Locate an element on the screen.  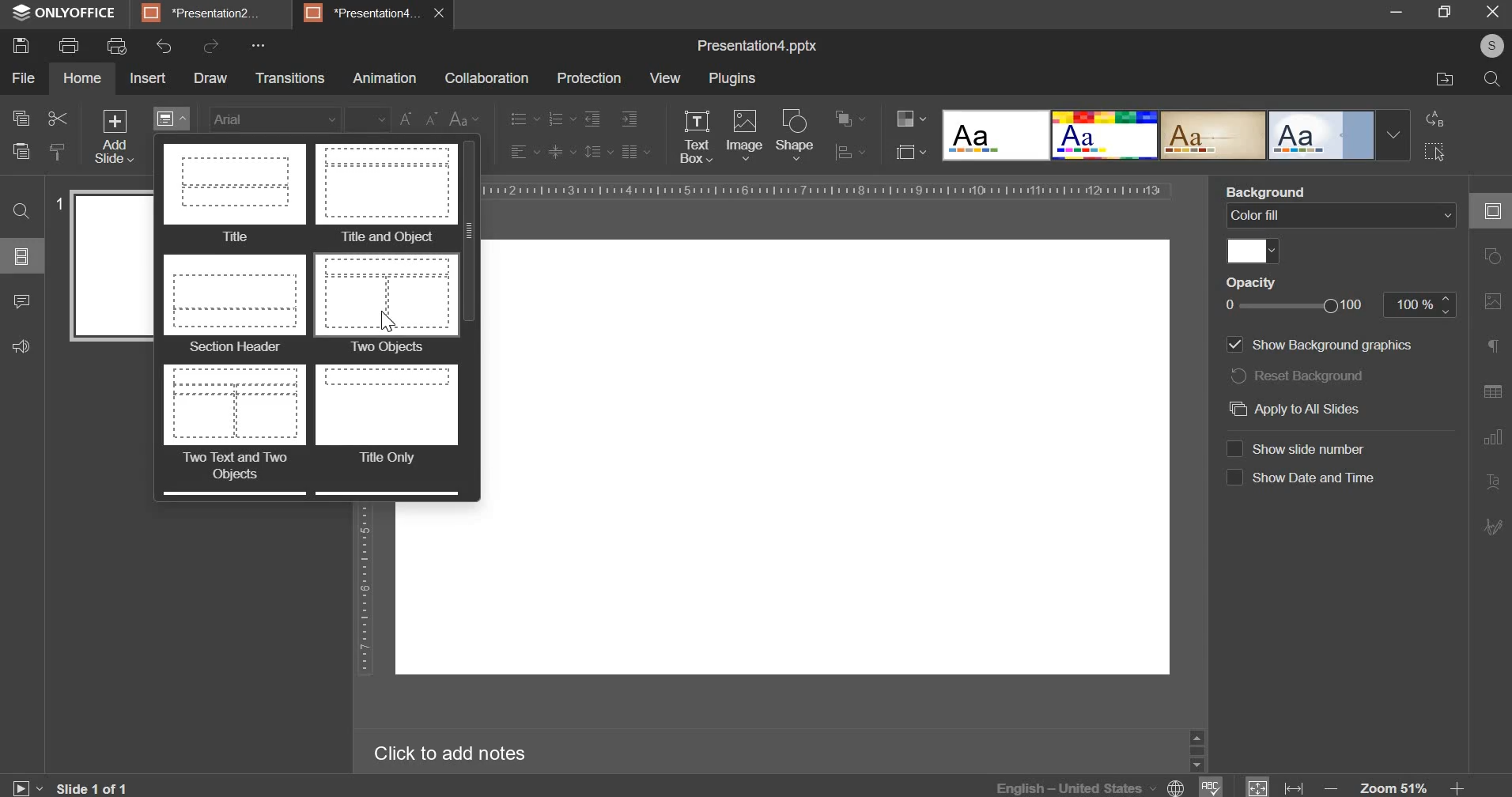
show date and time is located at coordinates (1316, 478).